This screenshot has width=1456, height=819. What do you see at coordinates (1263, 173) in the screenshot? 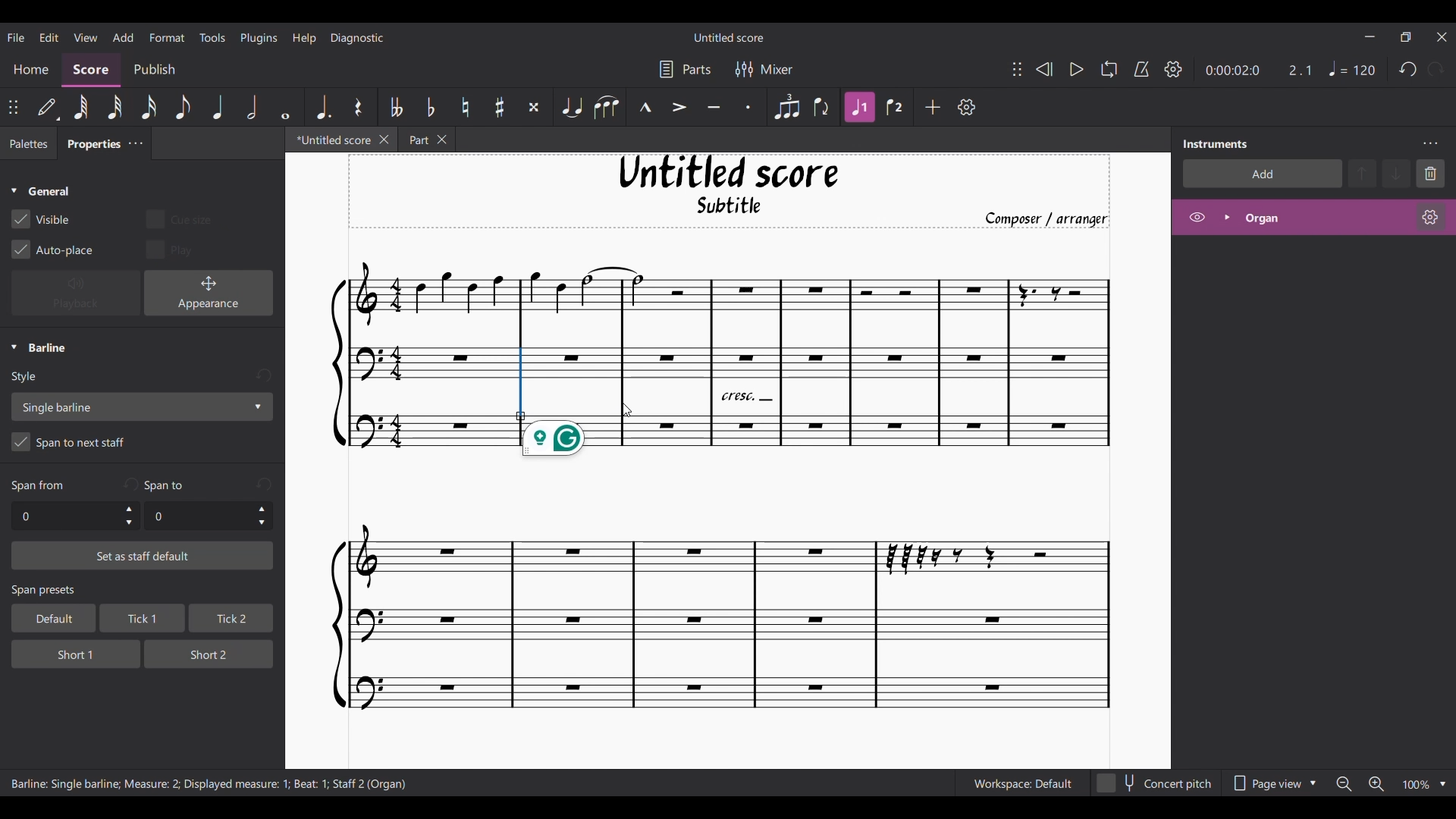
I see `Add instrument` at bounding box center [1263, 173].